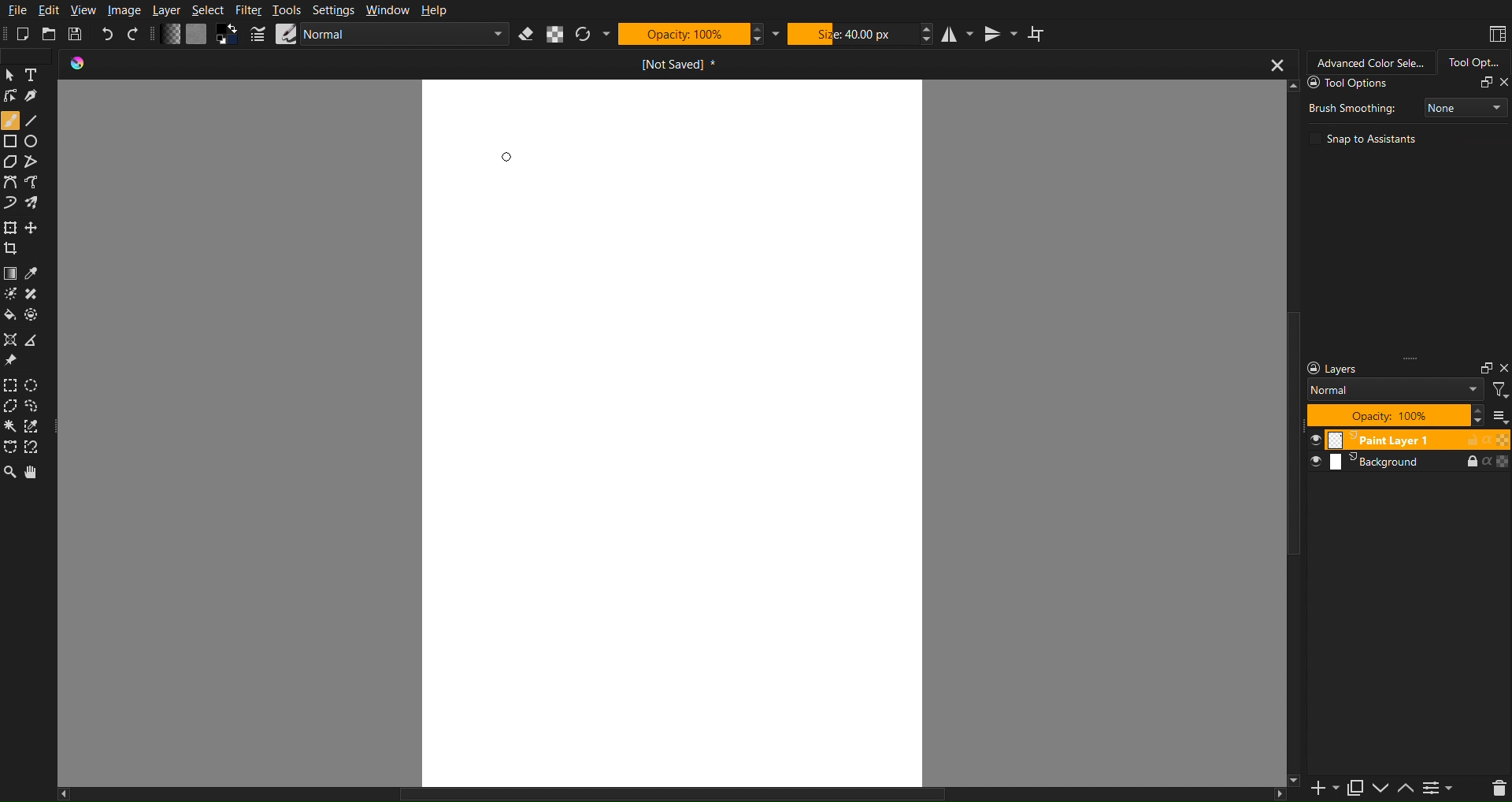 This screenshot has height=802, width=1512. Describe the element at coordinates (10, 449) in the screenshot. I see `Selection Tools` at that location.